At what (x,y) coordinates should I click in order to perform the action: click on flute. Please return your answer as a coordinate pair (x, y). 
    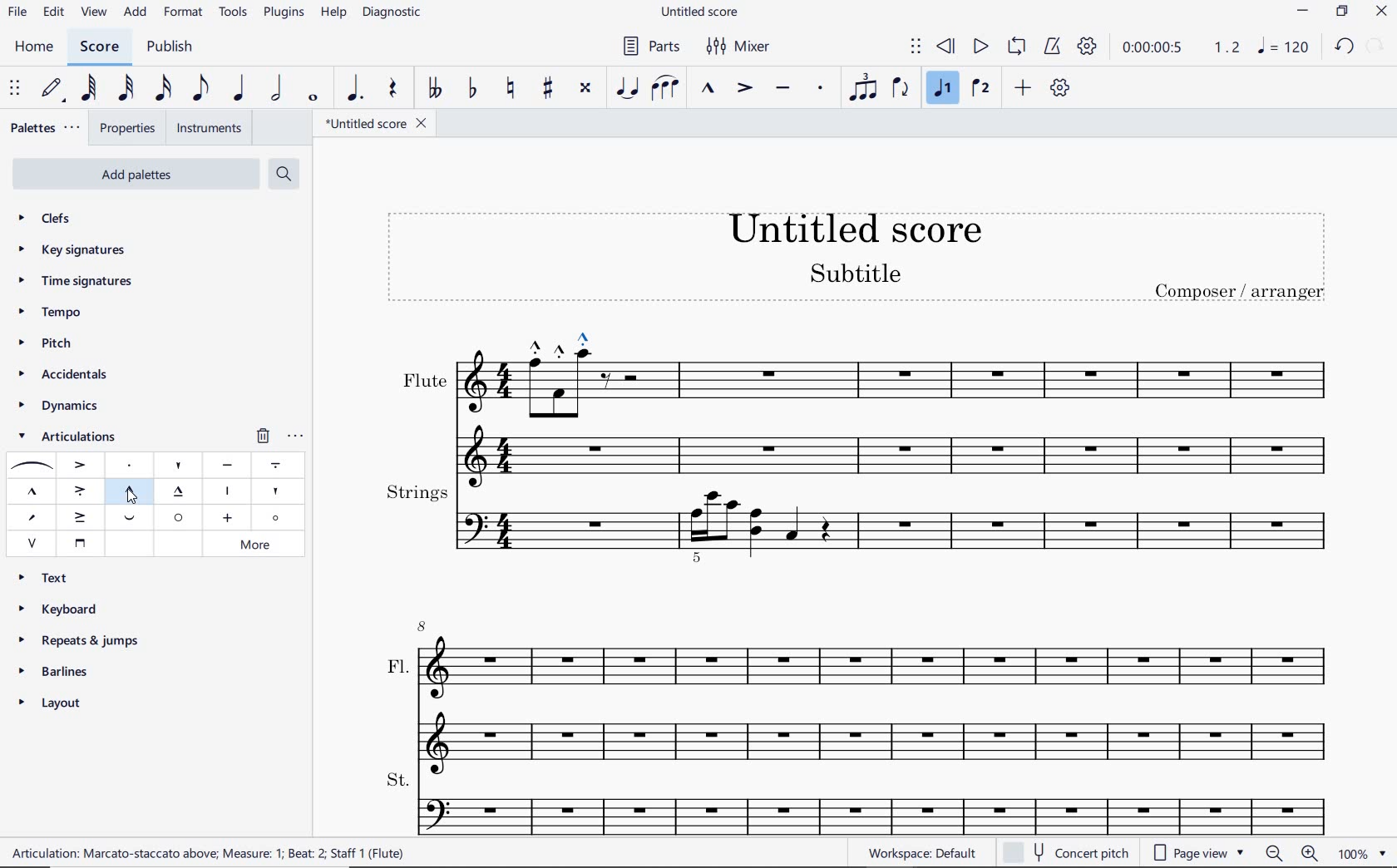
    Looking at the image, I should click on (856, 415).